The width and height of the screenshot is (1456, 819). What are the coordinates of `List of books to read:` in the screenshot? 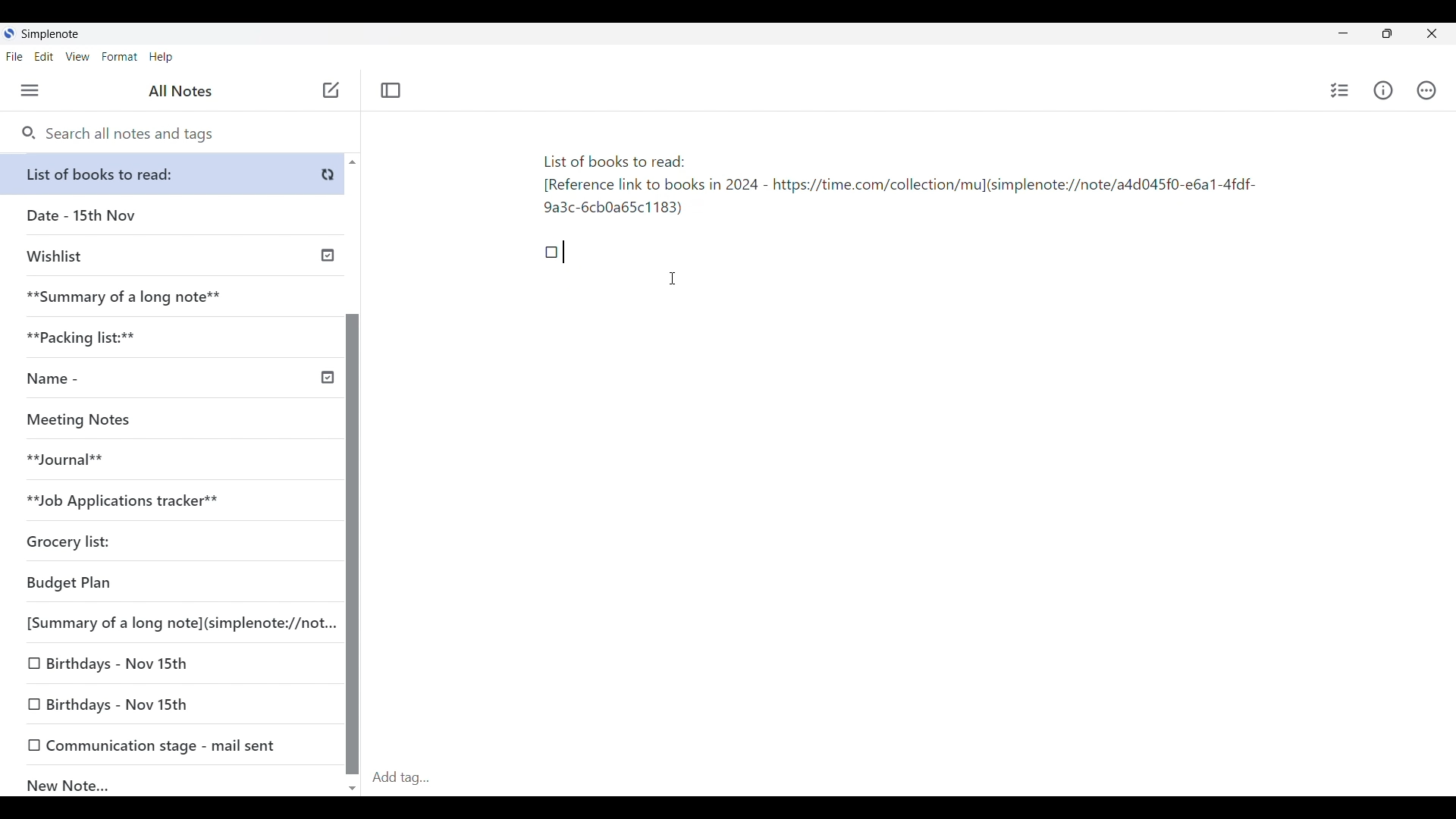 It's located at (176, 174).